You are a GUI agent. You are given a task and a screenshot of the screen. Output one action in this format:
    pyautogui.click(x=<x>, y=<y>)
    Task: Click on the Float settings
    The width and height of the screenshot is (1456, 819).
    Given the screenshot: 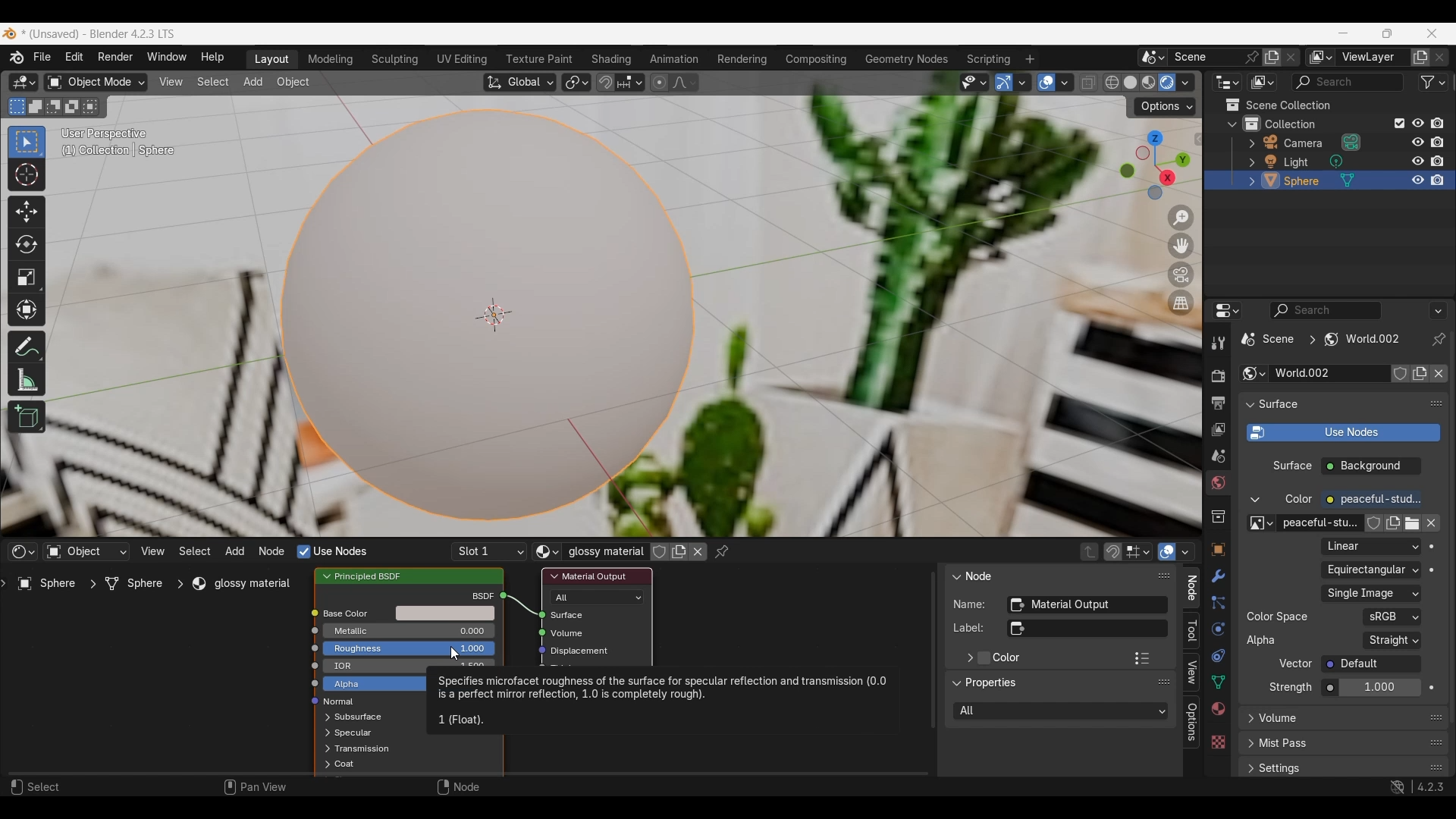 What is the action you would take?
    pyautogui.click(x=1436, y=767)
    